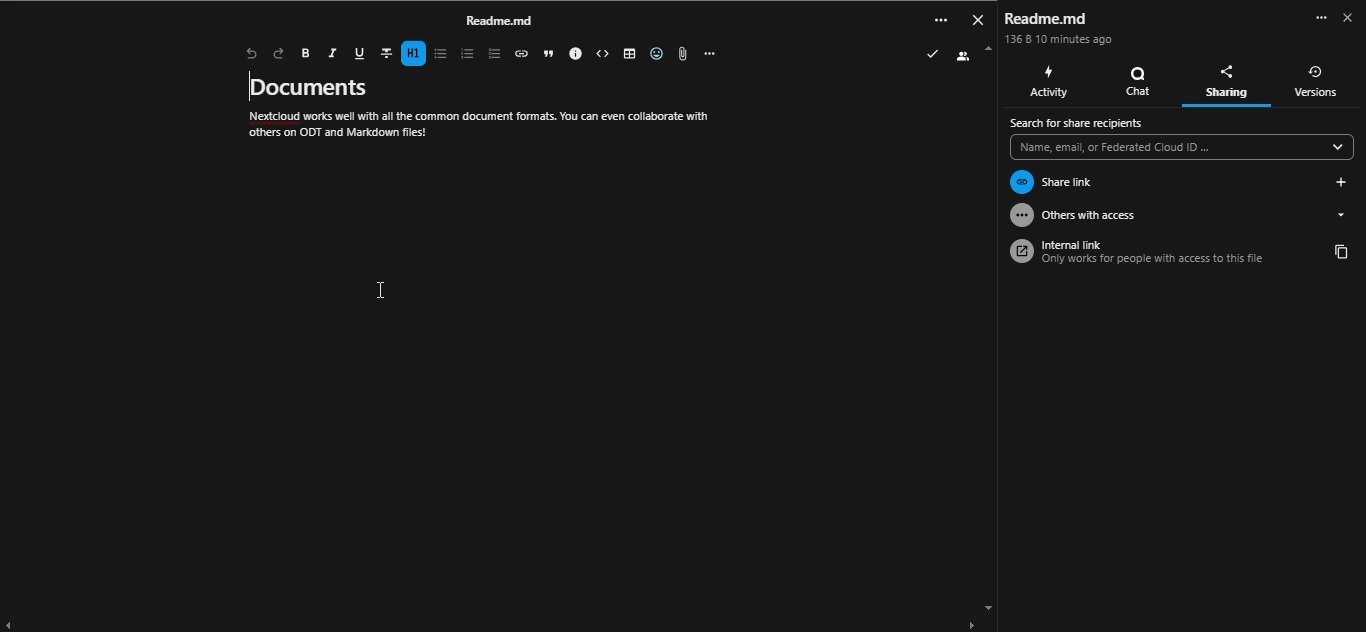 The width and height of the screenshot is (1366, 632). What do you see at coordinates (549, 54) in the screenshot?
I see `citation` at bounding box center [549, 54].